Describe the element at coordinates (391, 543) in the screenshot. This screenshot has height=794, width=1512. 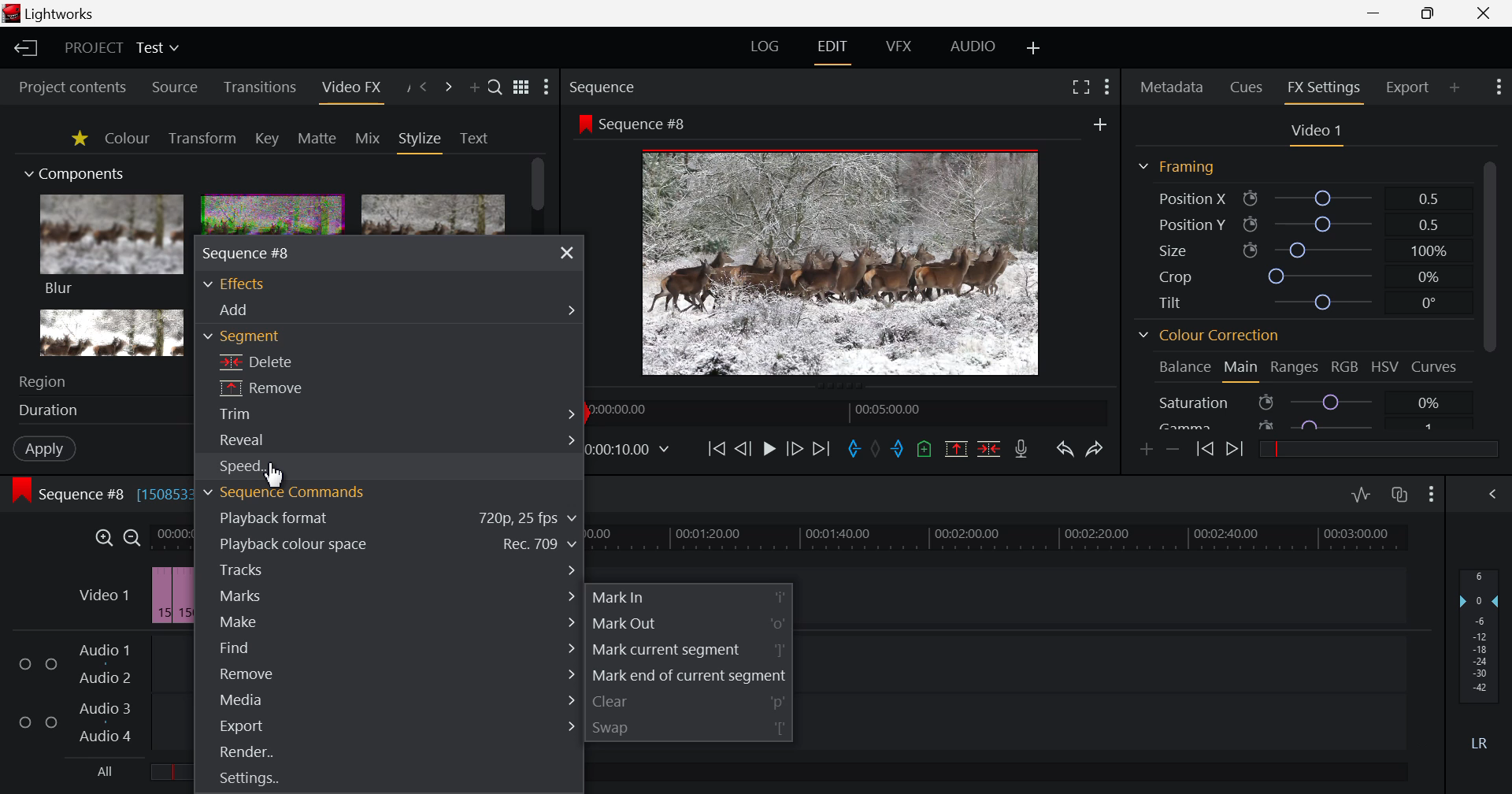
I see `Playback colour space` at that location.